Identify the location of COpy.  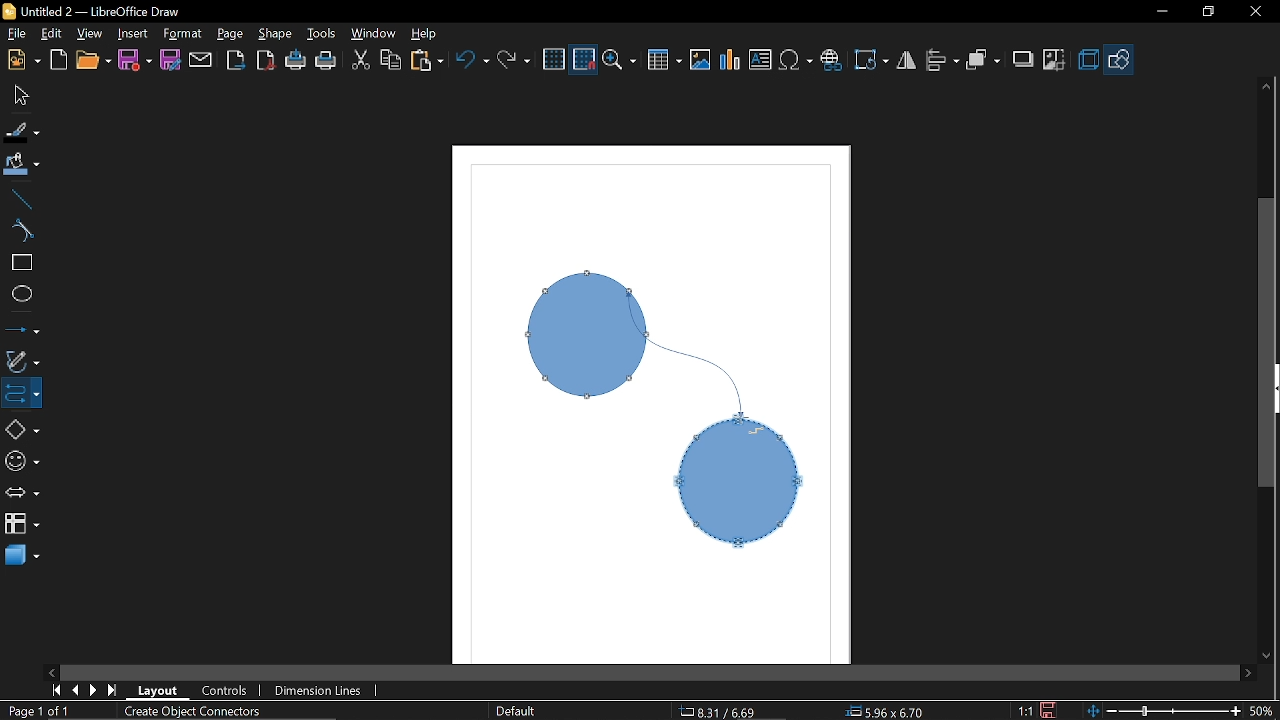
(390, 61).